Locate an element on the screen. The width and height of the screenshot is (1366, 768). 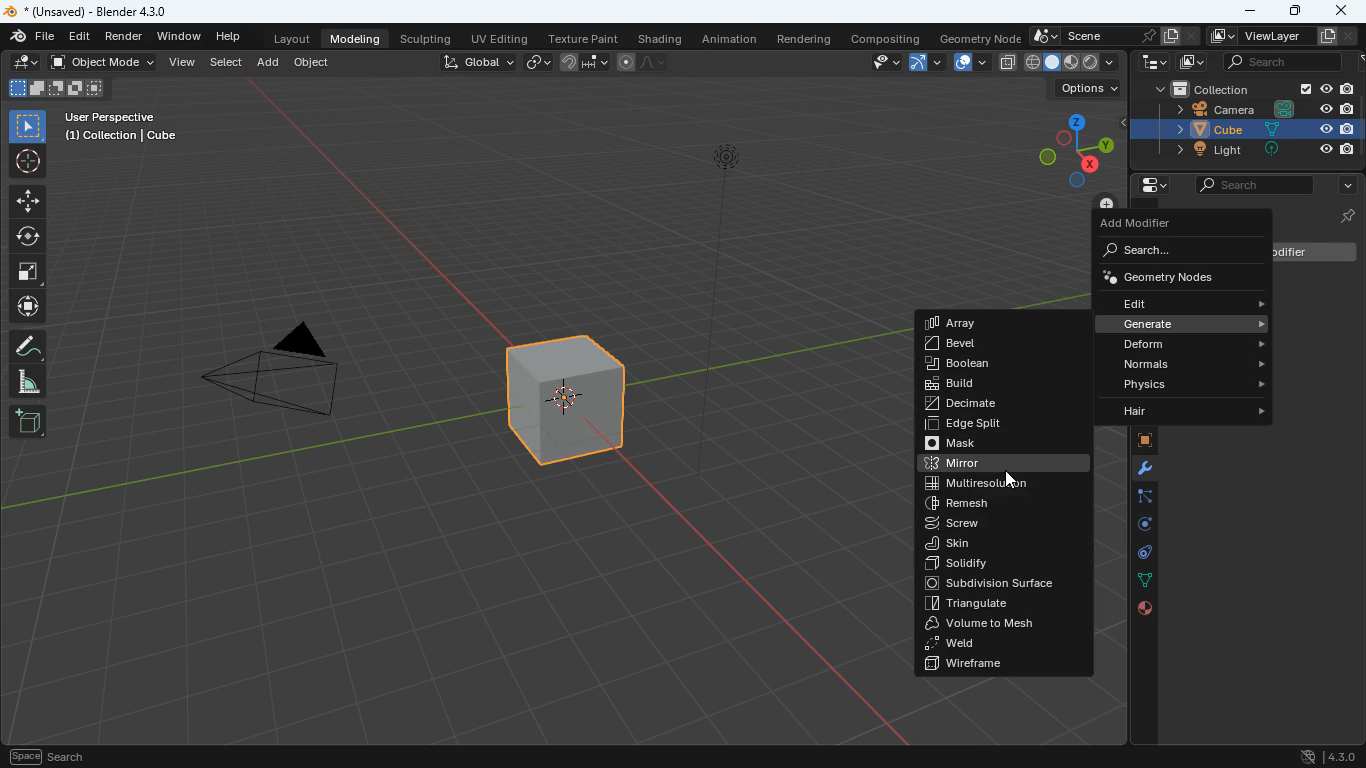
solidify is located at coordinates (1002, 564).